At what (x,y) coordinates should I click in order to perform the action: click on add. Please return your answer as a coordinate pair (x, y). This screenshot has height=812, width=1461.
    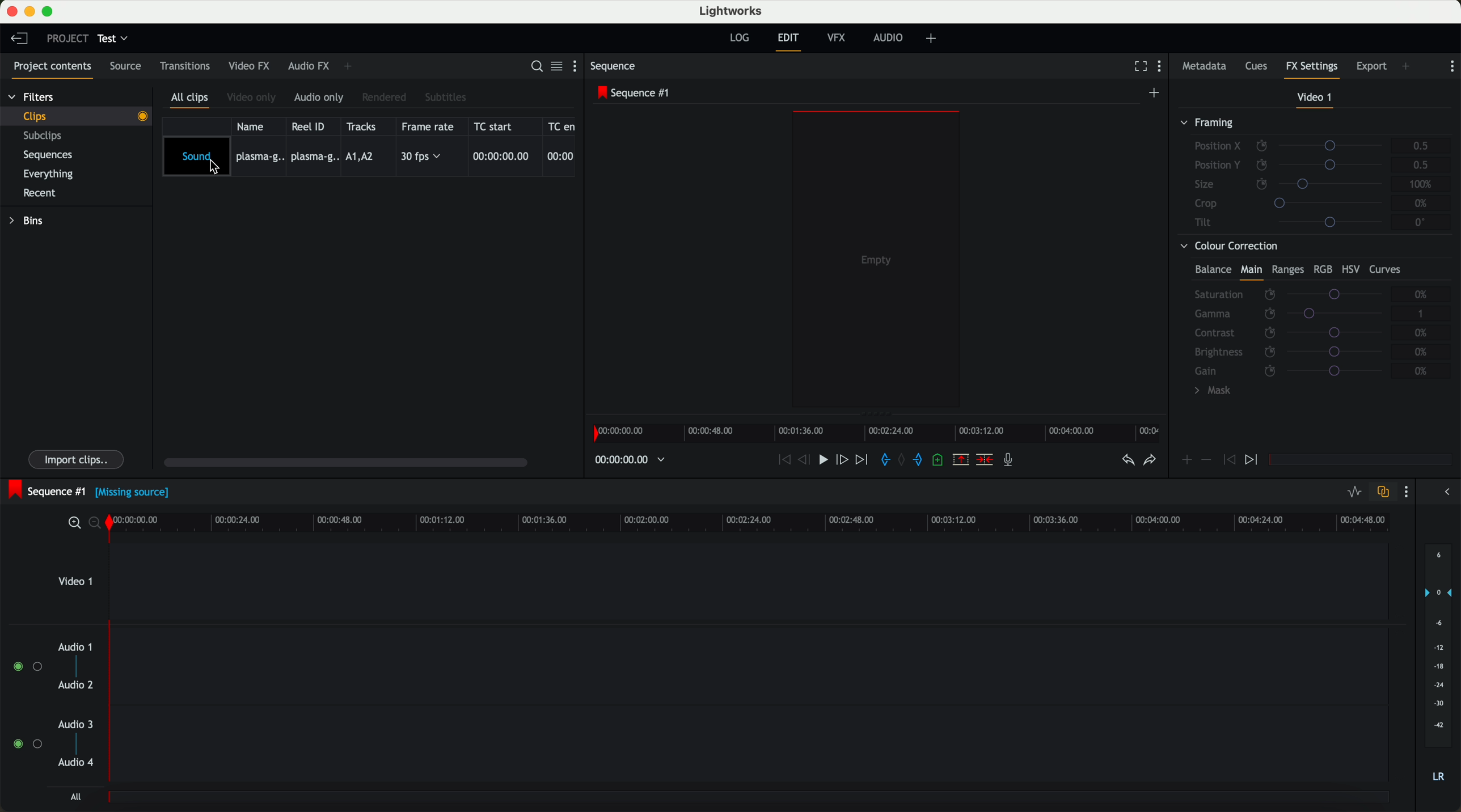
    Looking at the image, I should click on (933, 39).